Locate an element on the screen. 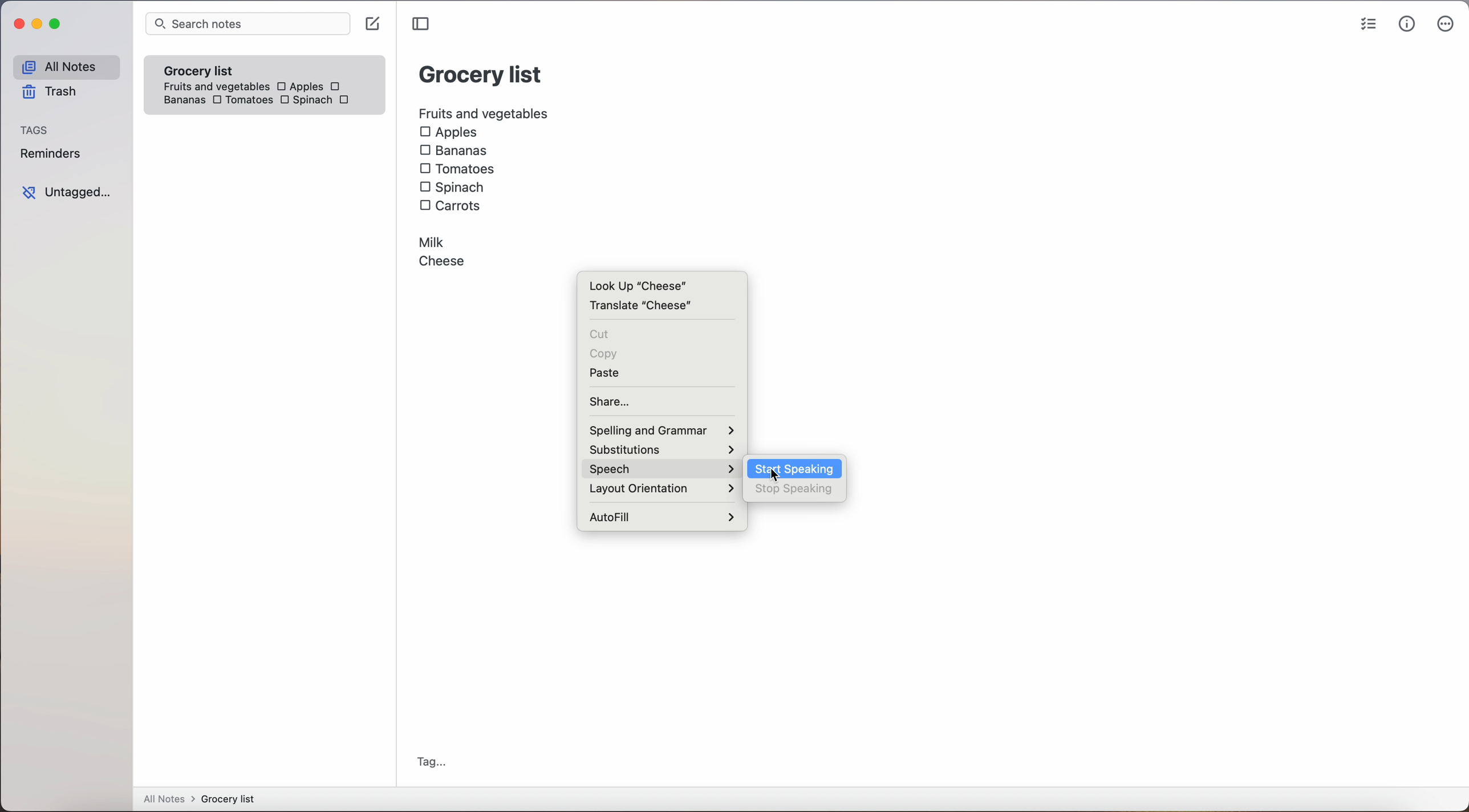 The width and height of the screenshot is (1469, 812). copy is located at coordinates (606, 353).